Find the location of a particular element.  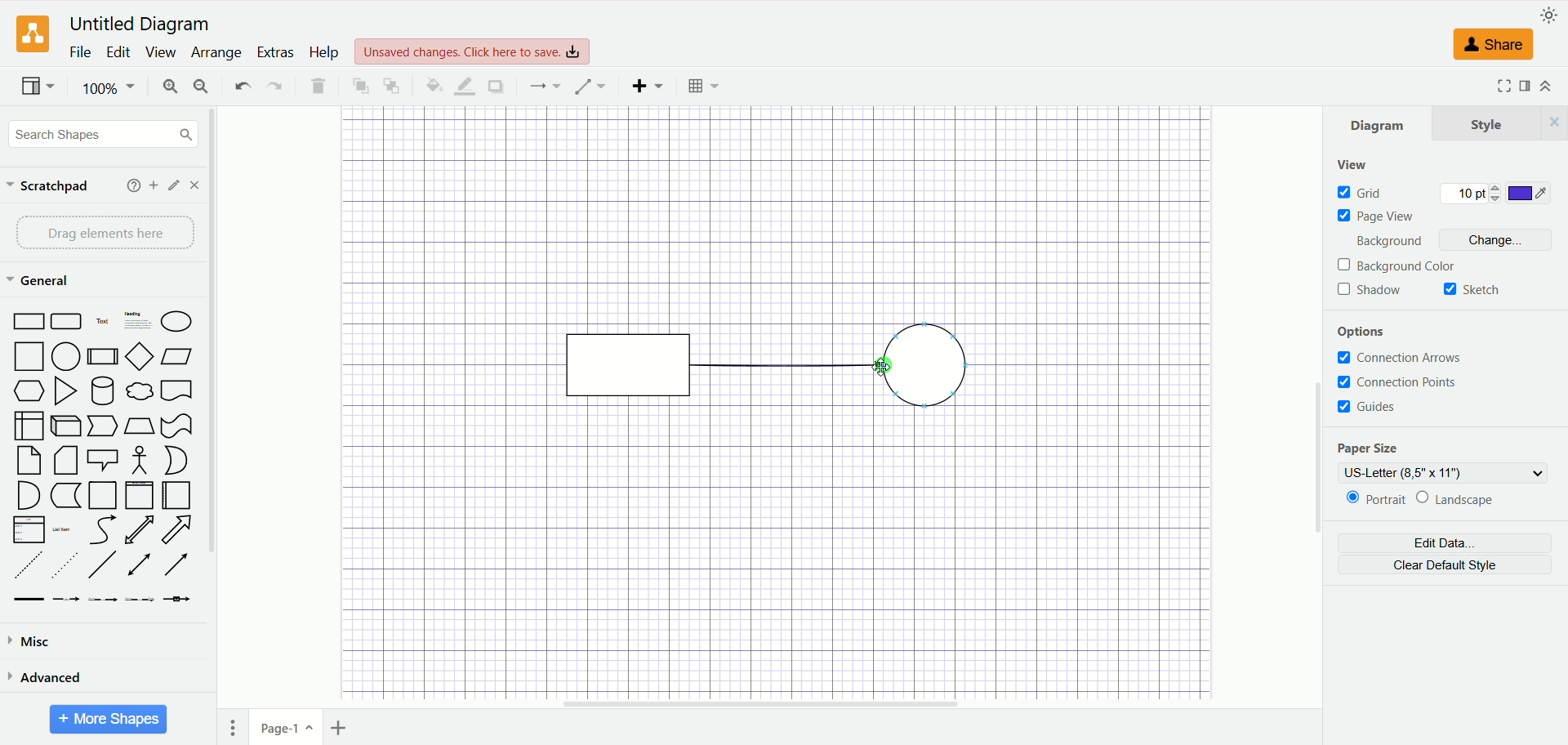

view is located at coordinates (162, 51).